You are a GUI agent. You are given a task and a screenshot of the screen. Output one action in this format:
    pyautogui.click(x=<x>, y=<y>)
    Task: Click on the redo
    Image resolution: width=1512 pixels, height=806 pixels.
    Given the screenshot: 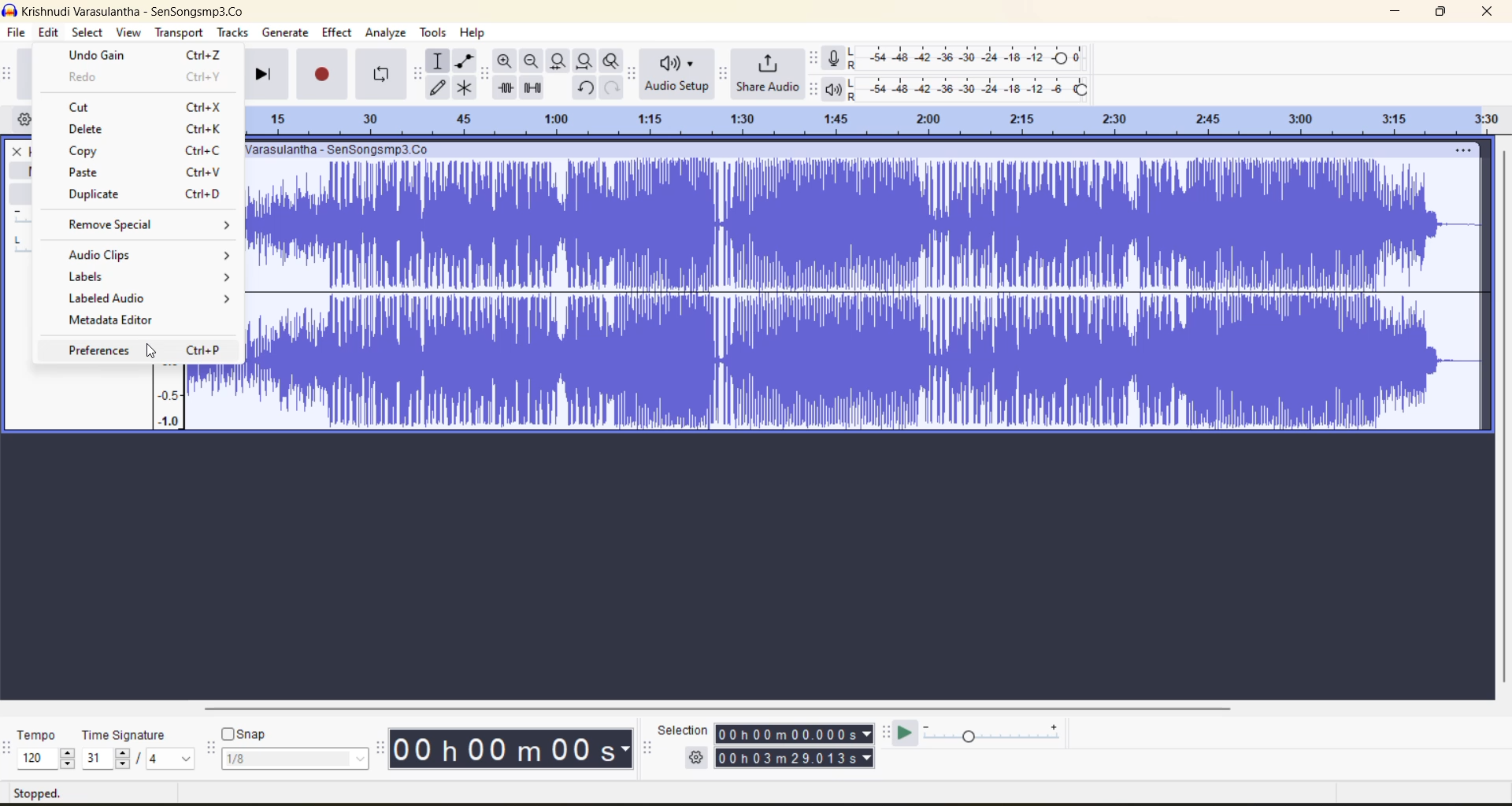 What is the action you would take?
    pyautogui.click(x=144, y=79)
    